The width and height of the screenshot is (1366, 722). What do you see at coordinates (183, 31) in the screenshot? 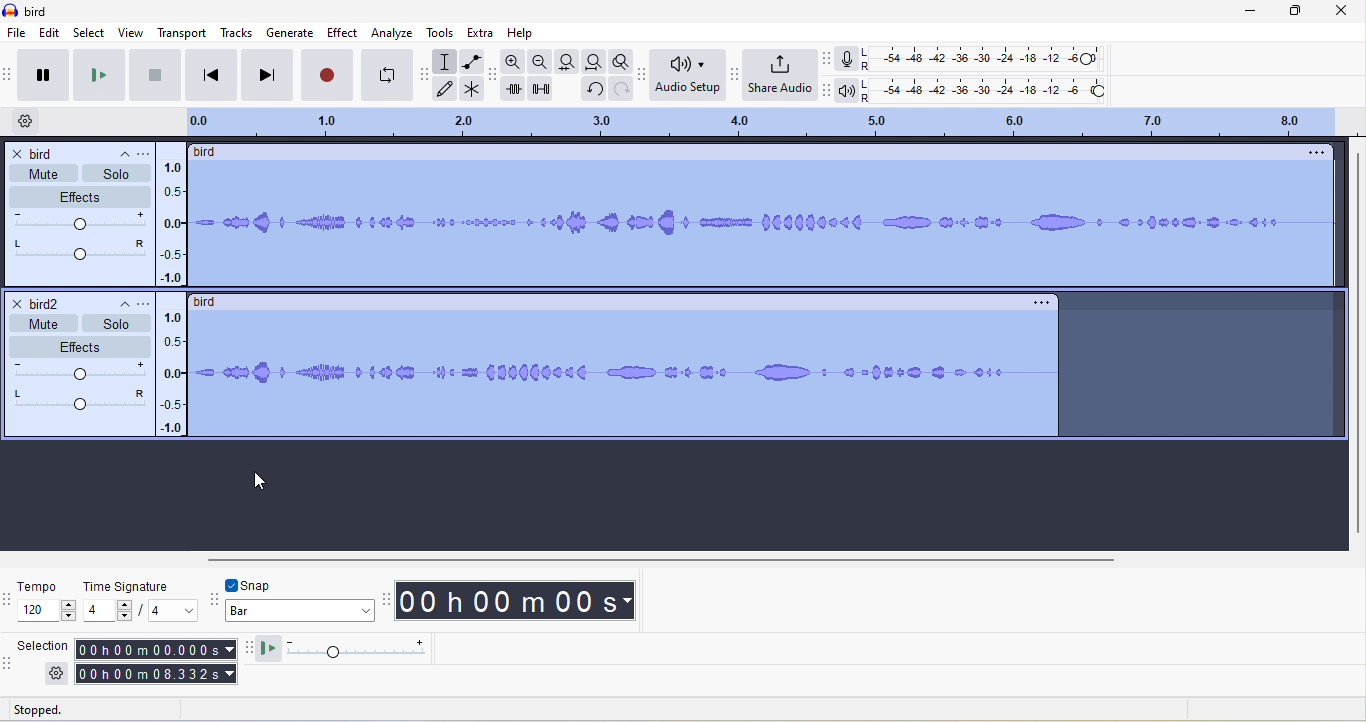
I see `transport` at bounding box center [183, 31].